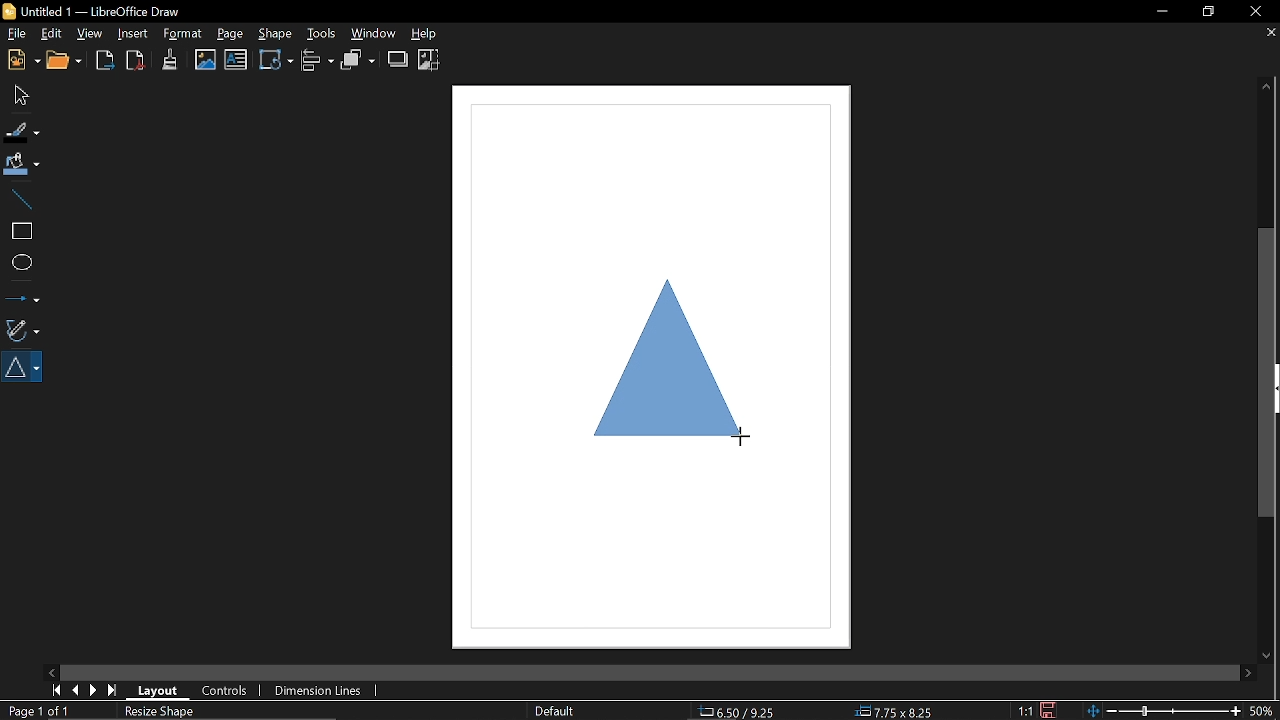  I want to click on Window, so click(374, 33).